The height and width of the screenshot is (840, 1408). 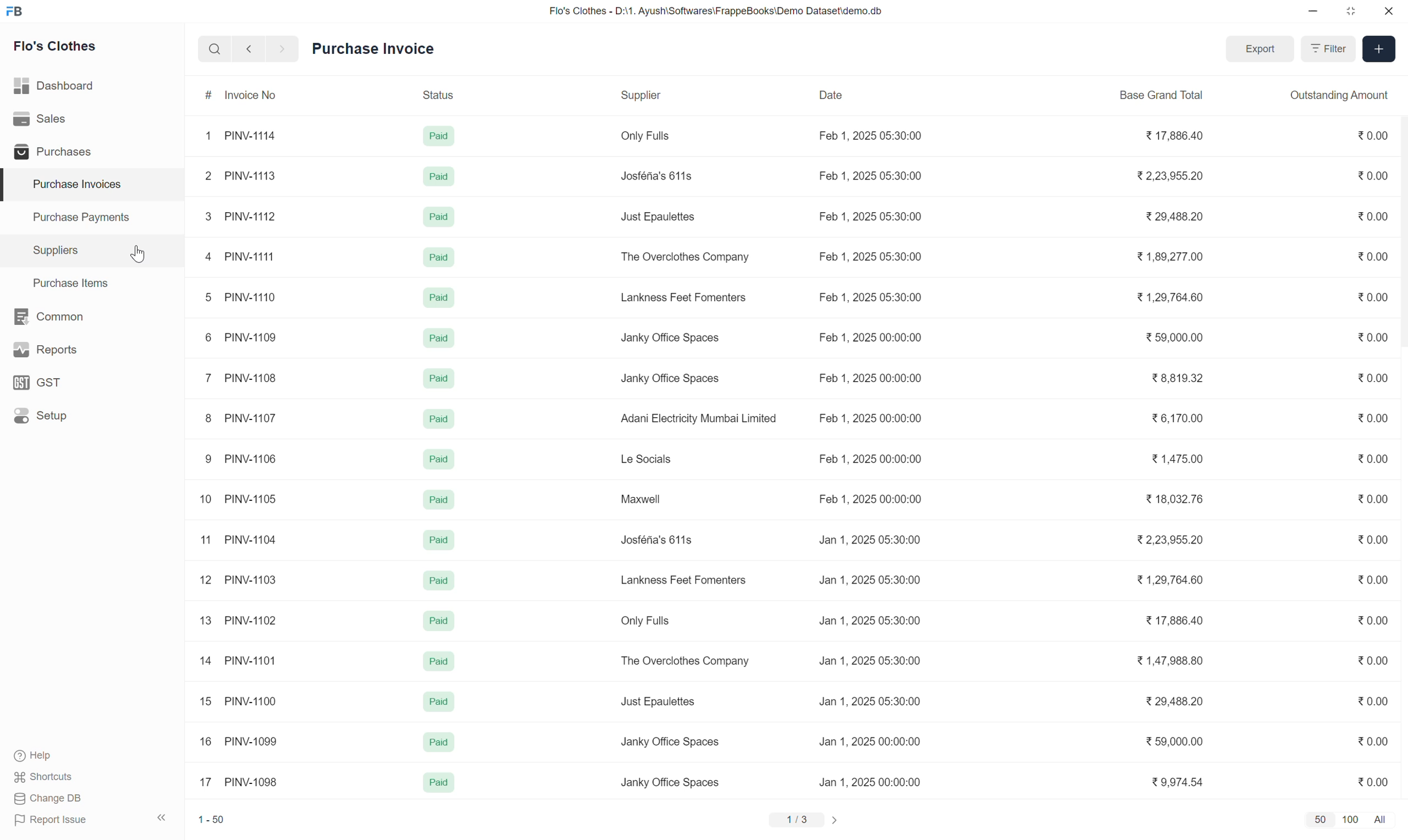 I want to click on Date, so click(x=832, y=95).